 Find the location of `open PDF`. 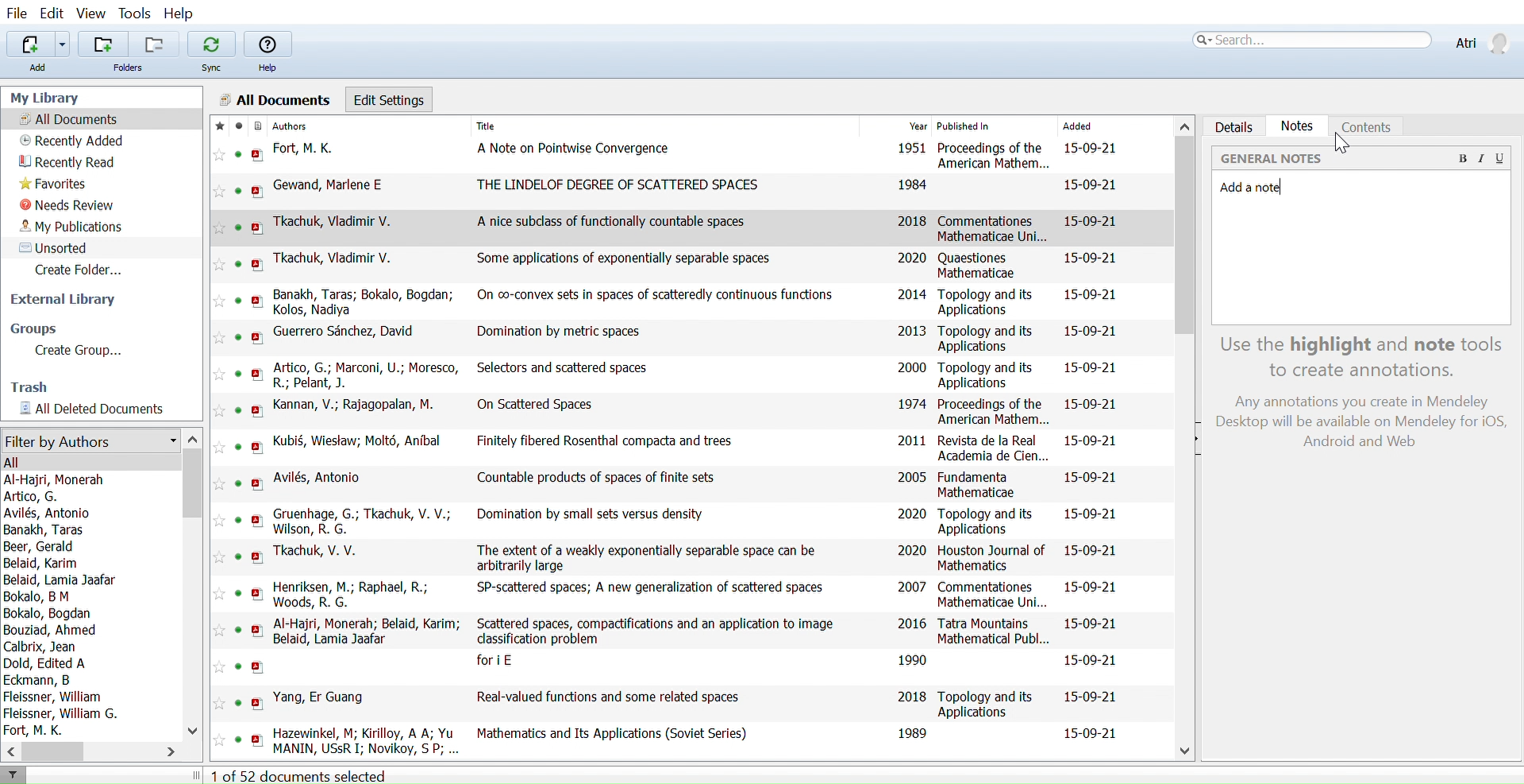

open PDF is located at coordinates (257, 192).